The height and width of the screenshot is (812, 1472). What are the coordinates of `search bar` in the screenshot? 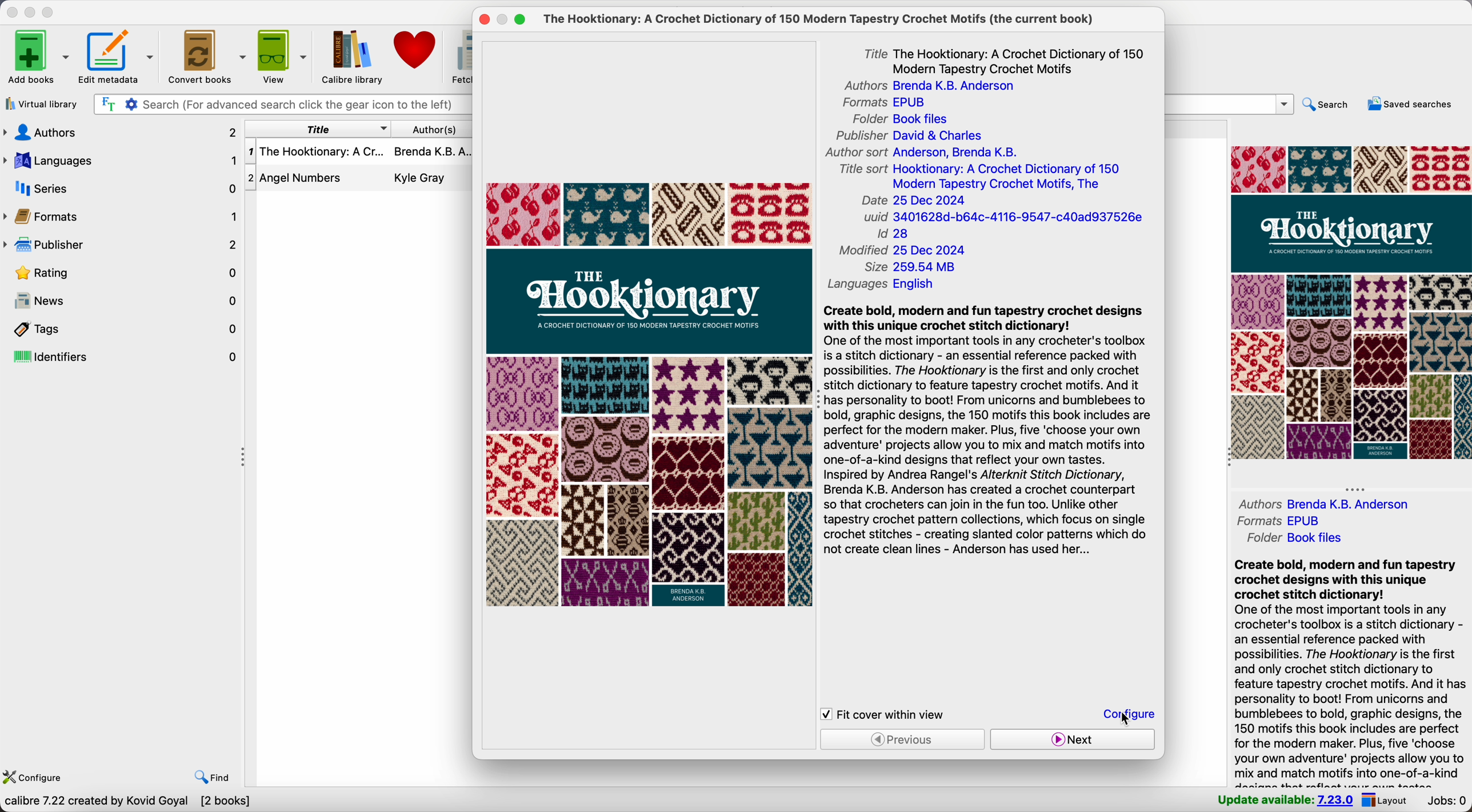 It's located at (281, 105).